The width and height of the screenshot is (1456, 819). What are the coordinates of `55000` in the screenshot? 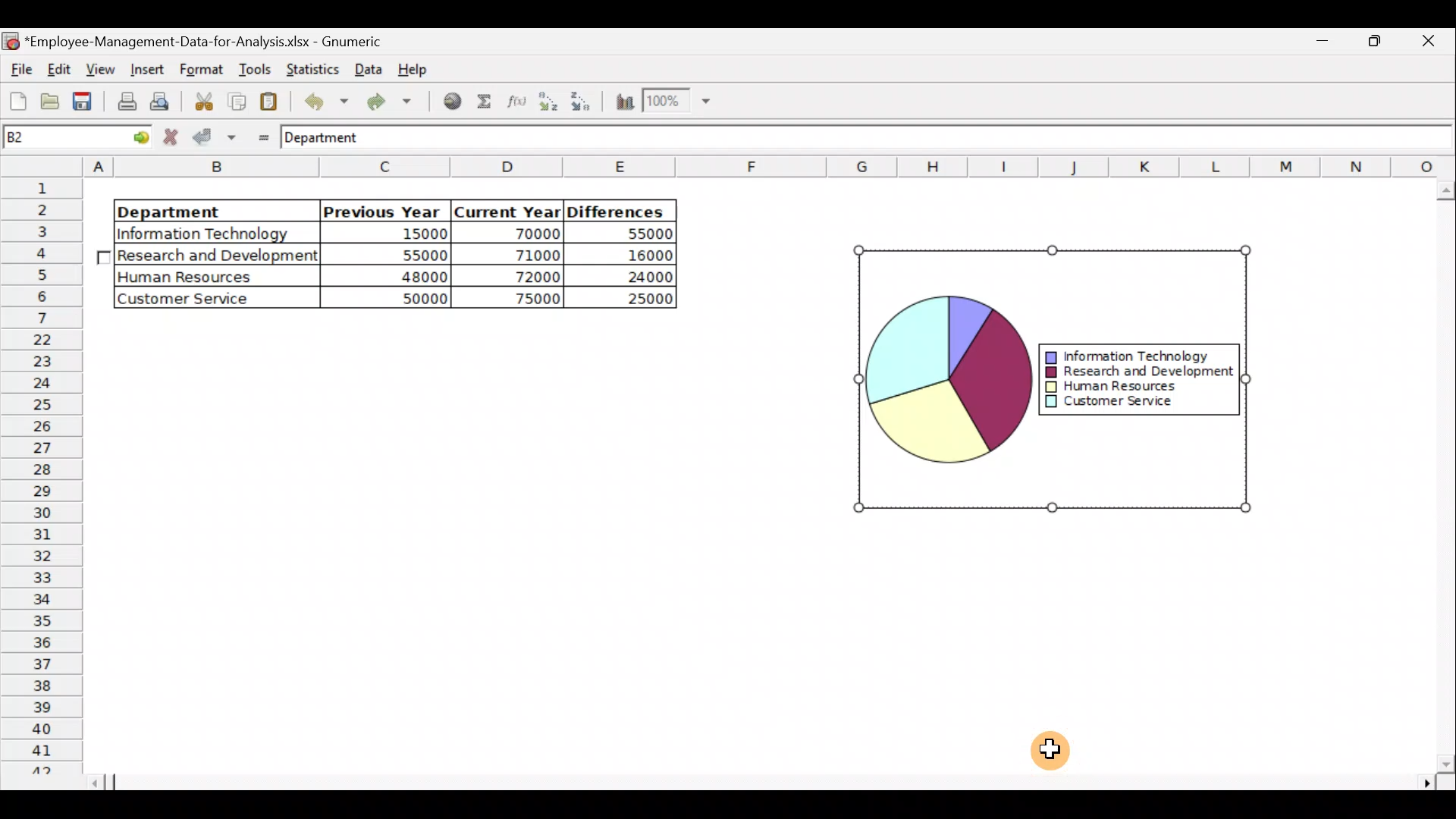 It's located at (416, 255).